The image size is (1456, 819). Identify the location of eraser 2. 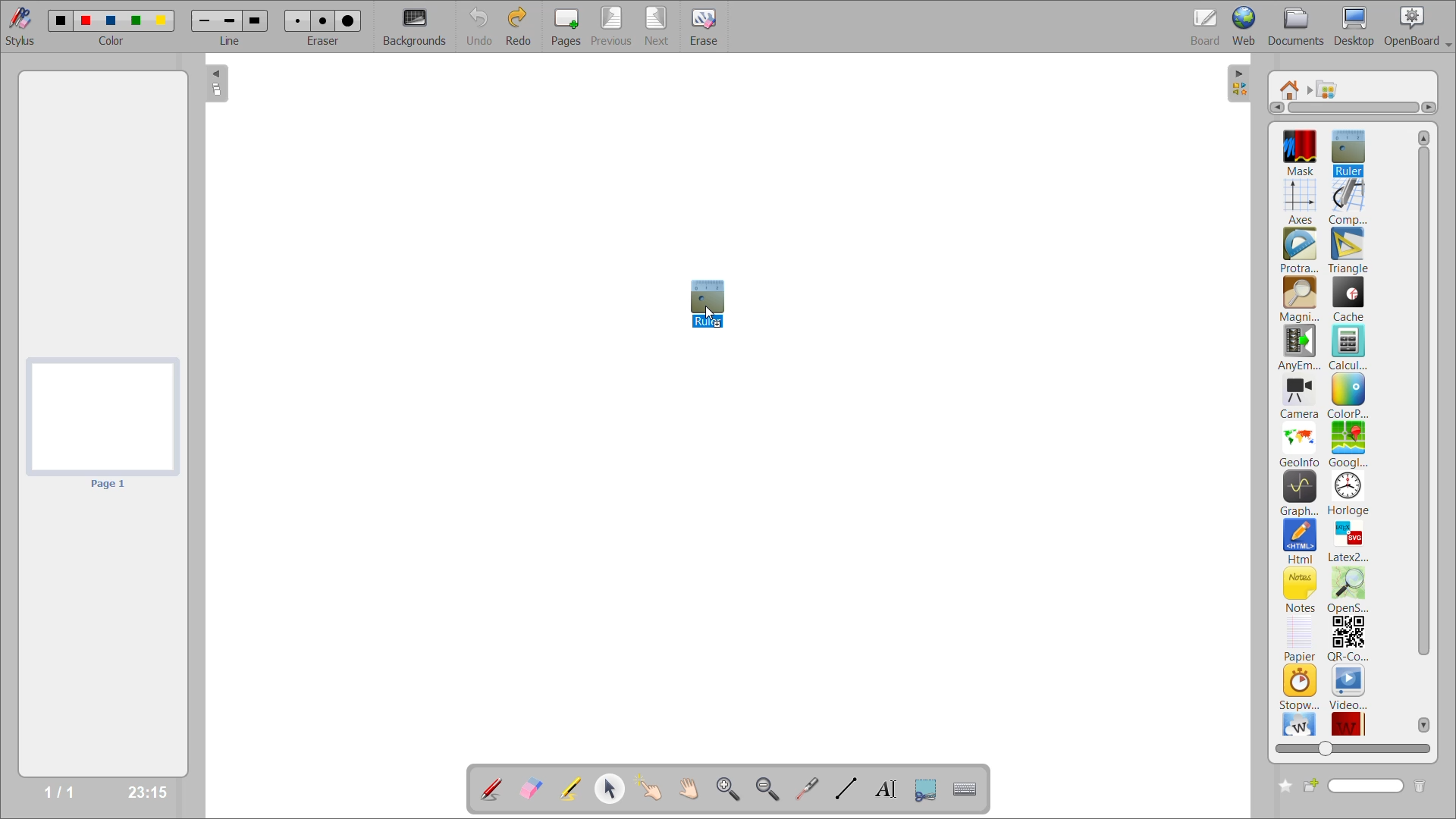
(323, 20).